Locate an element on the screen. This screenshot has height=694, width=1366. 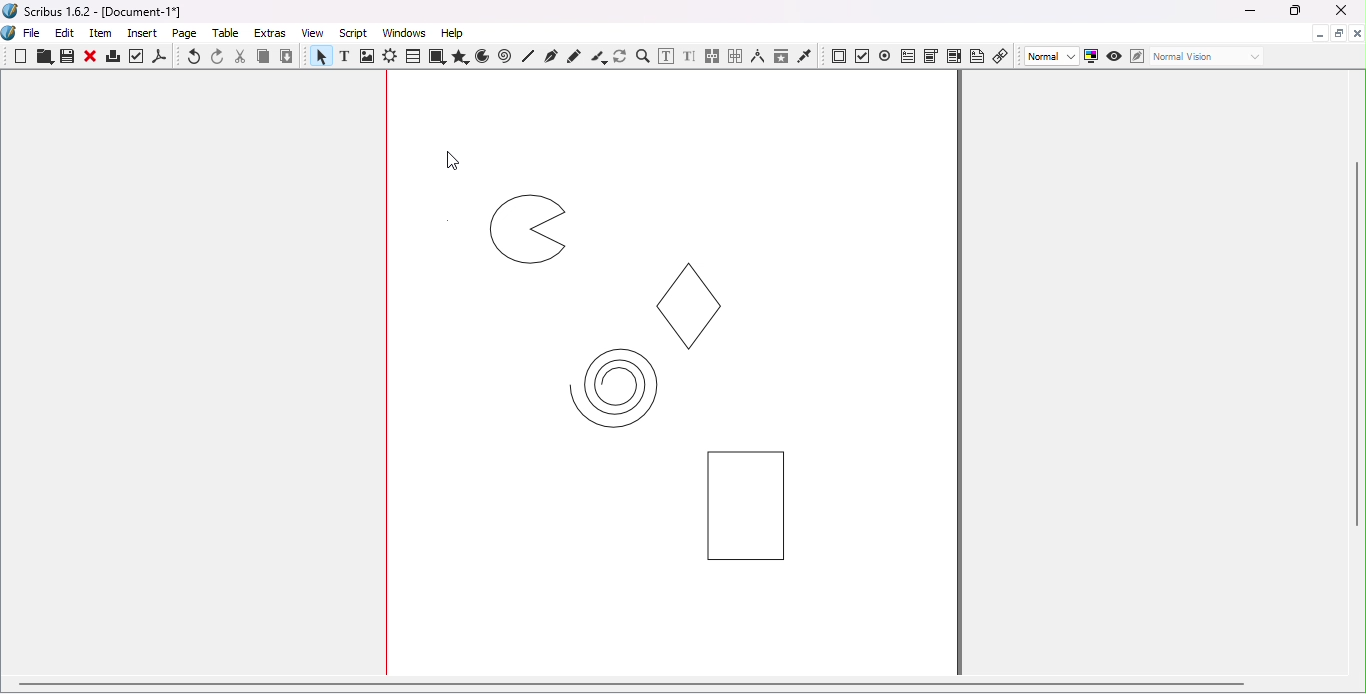
Preflight verifier is located at coordinates (137, 59).